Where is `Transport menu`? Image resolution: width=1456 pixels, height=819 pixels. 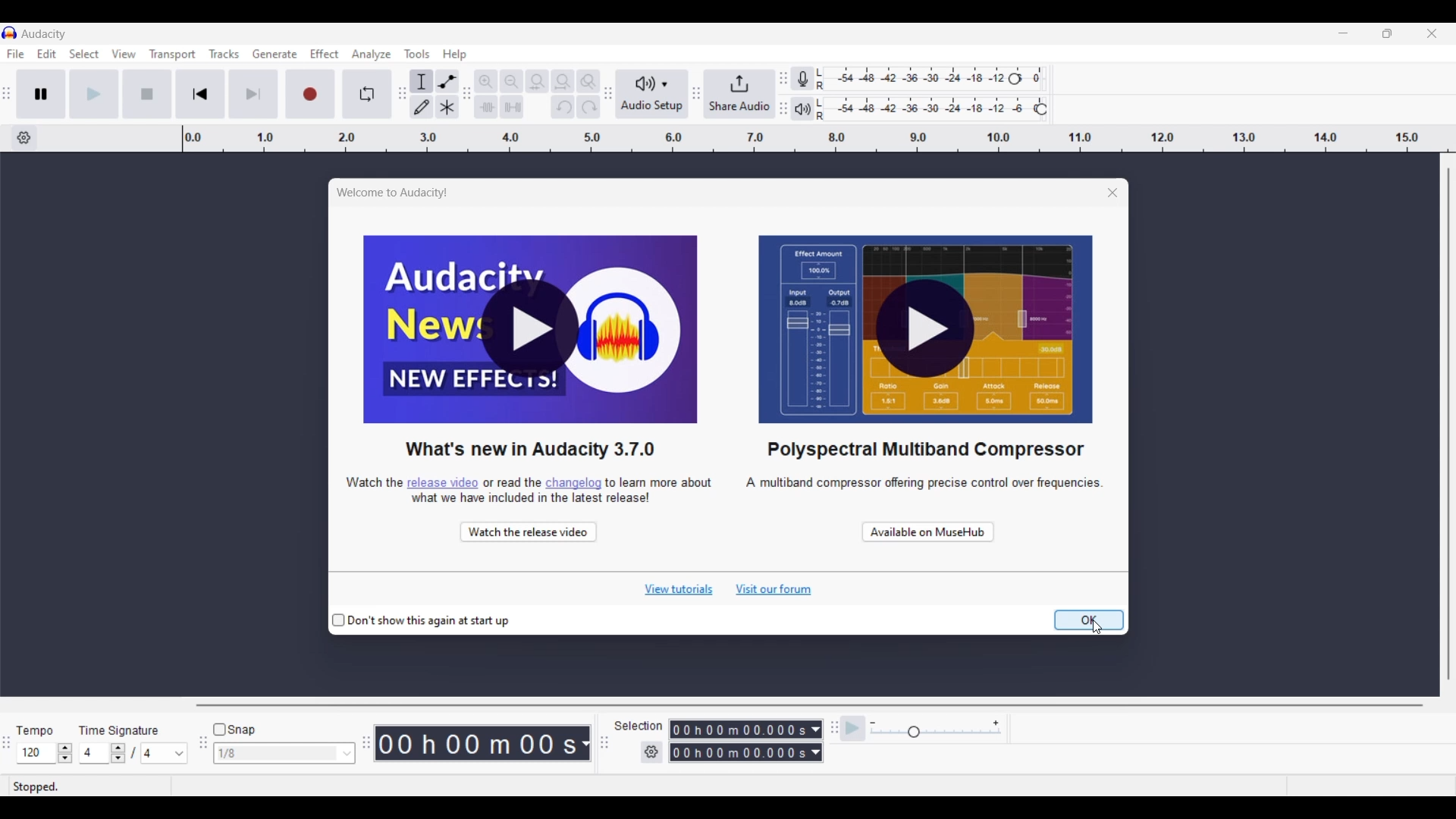 Transport menu is located at coordinates (173, 54).